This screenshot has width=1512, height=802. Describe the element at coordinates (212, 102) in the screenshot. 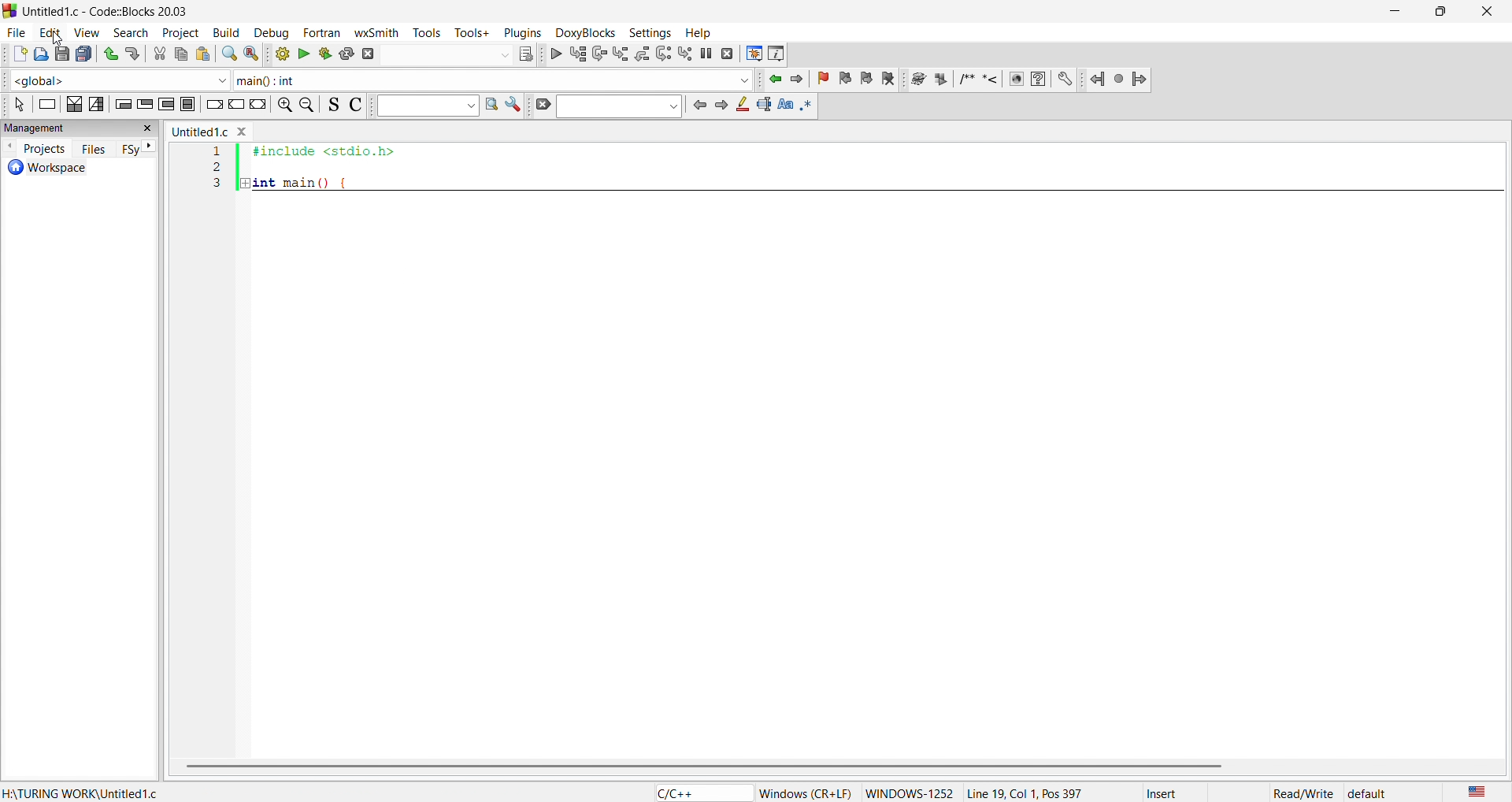

I see `break instruction` at that location.